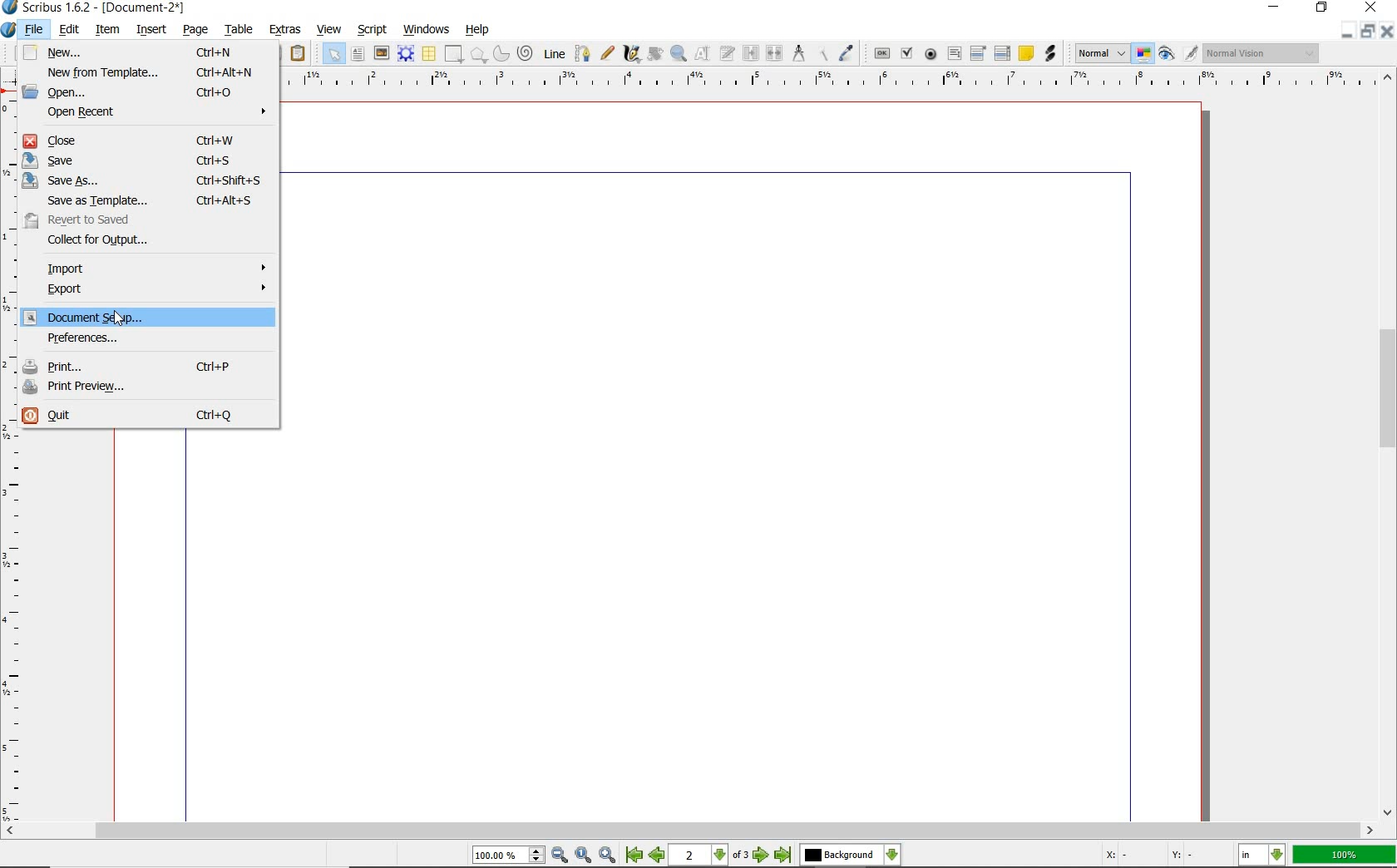 The height and width of the screenshot is (868, 1397). I want to click on Zoom In, so click(609, 856).